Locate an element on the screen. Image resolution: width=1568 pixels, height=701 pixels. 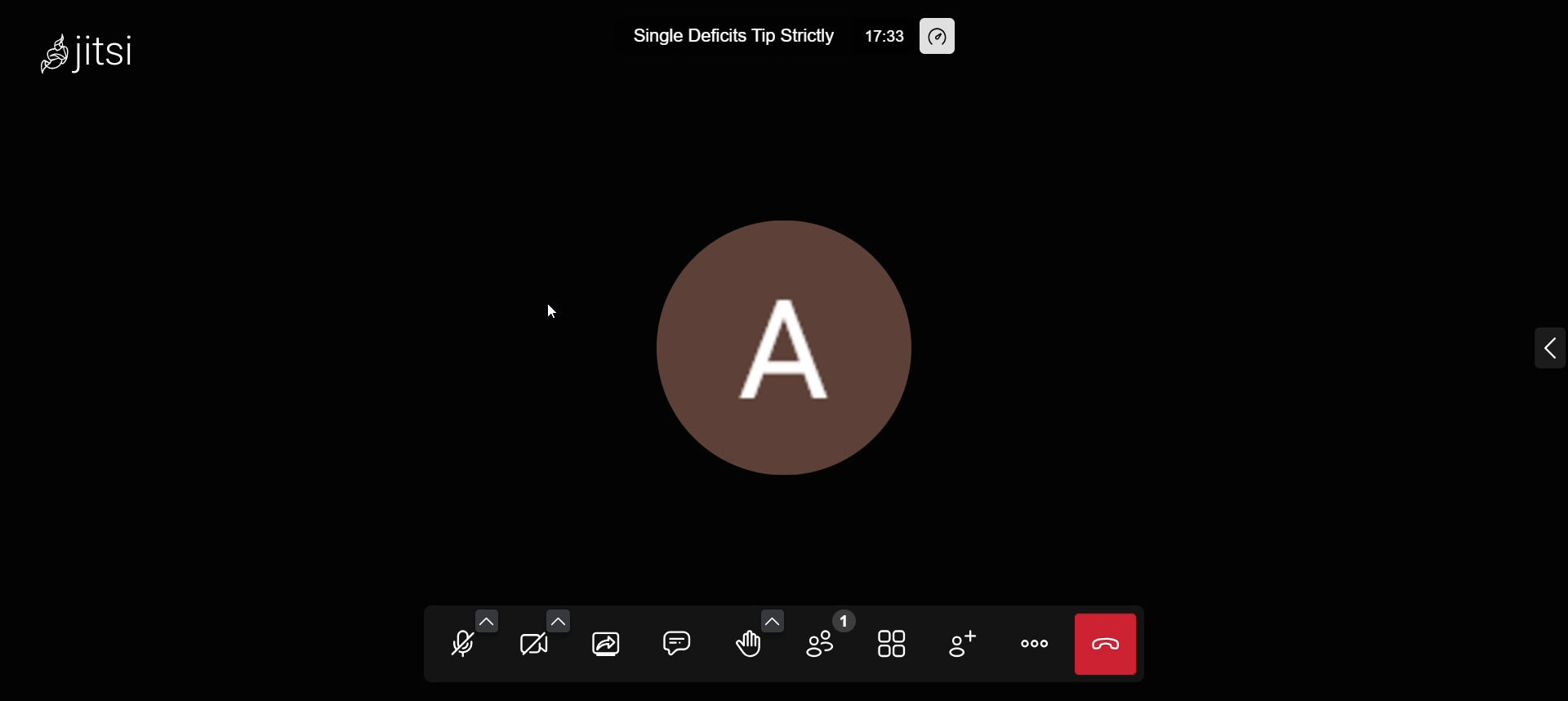
unmute mic is located at coordinates (459, 644).